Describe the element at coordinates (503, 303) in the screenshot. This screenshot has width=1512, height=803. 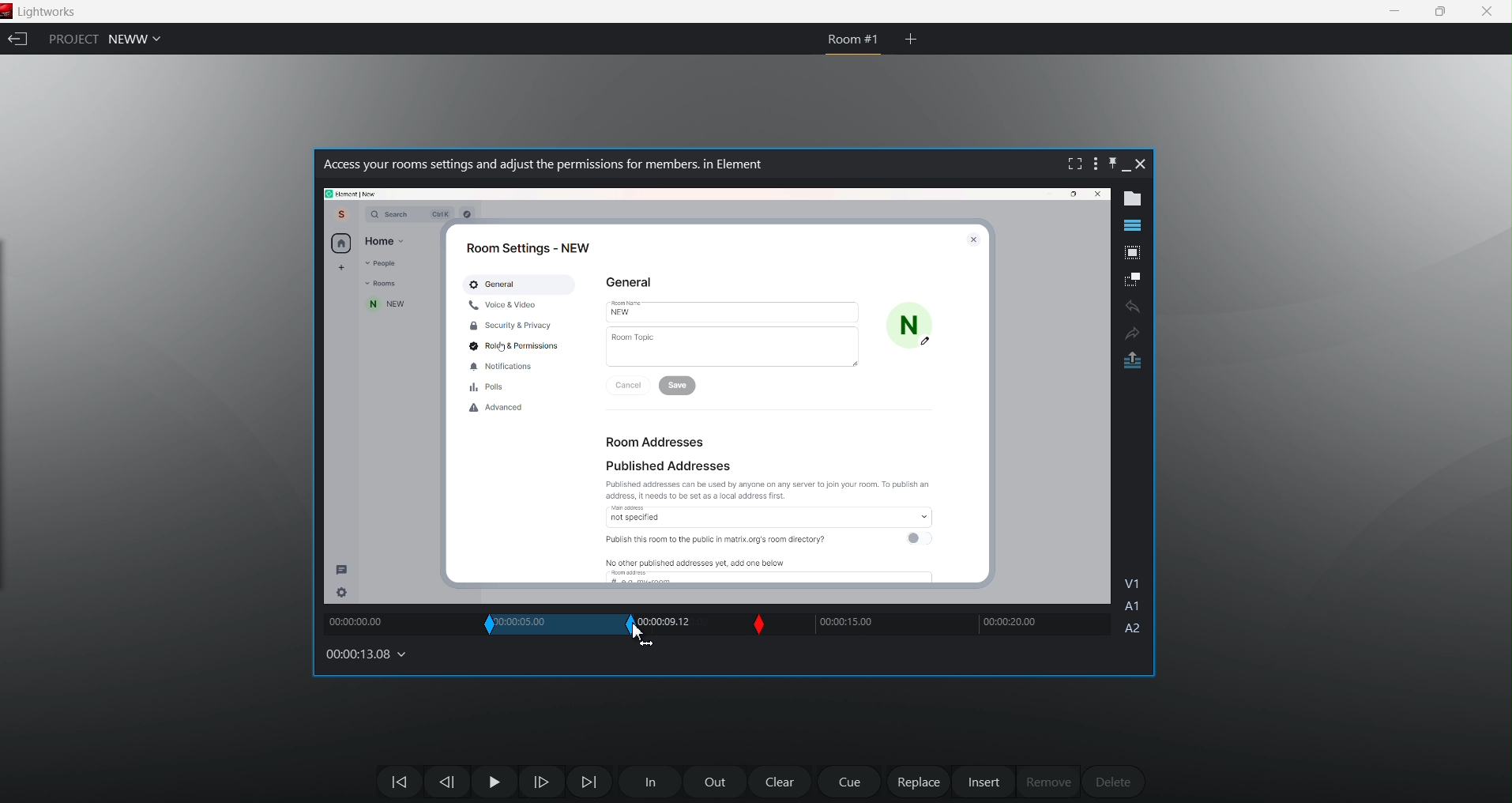
I see `Voice & Video` at that location.